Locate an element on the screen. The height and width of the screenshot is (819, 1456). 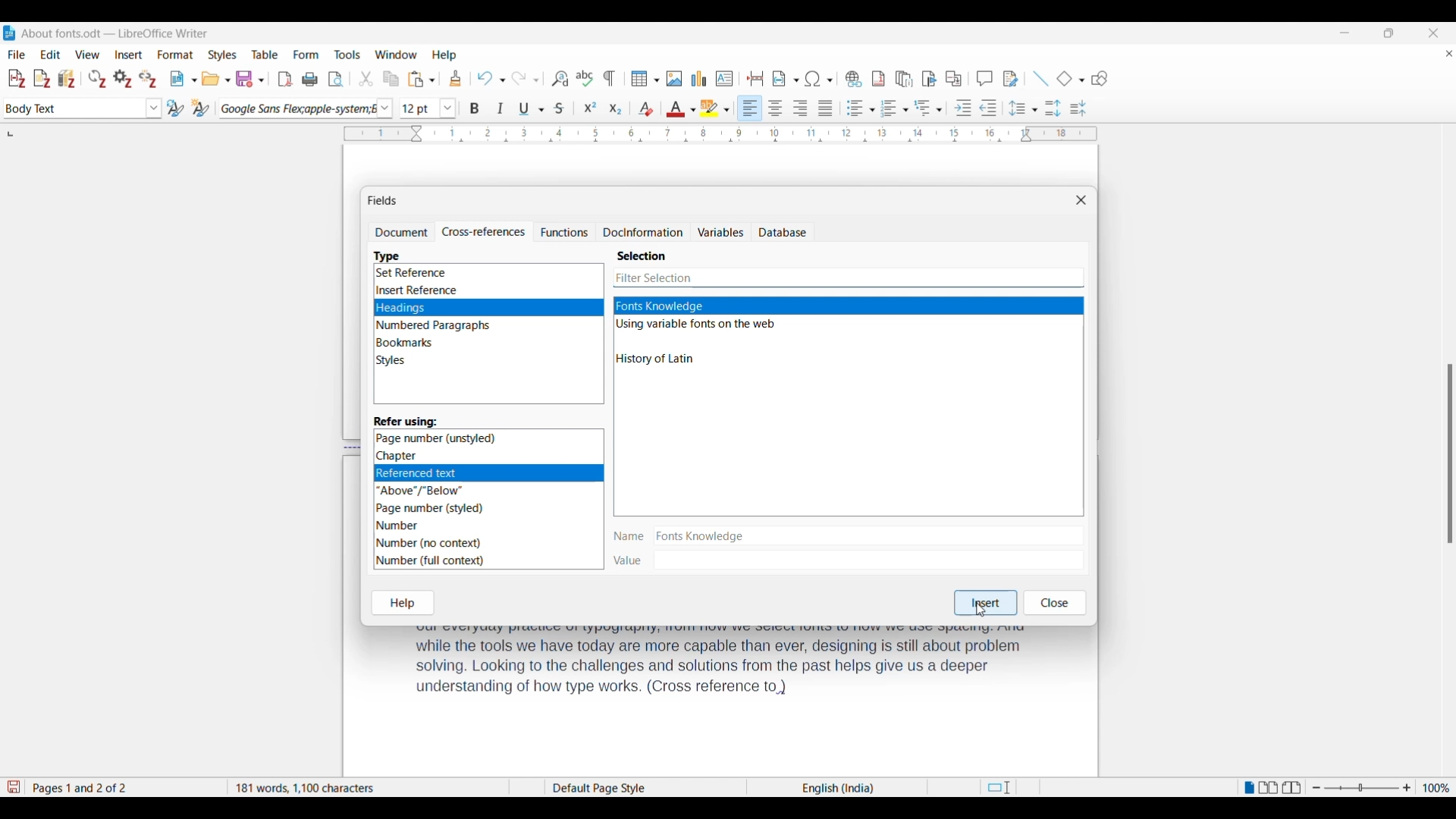
Text color options is located at coordinates (680, 109).